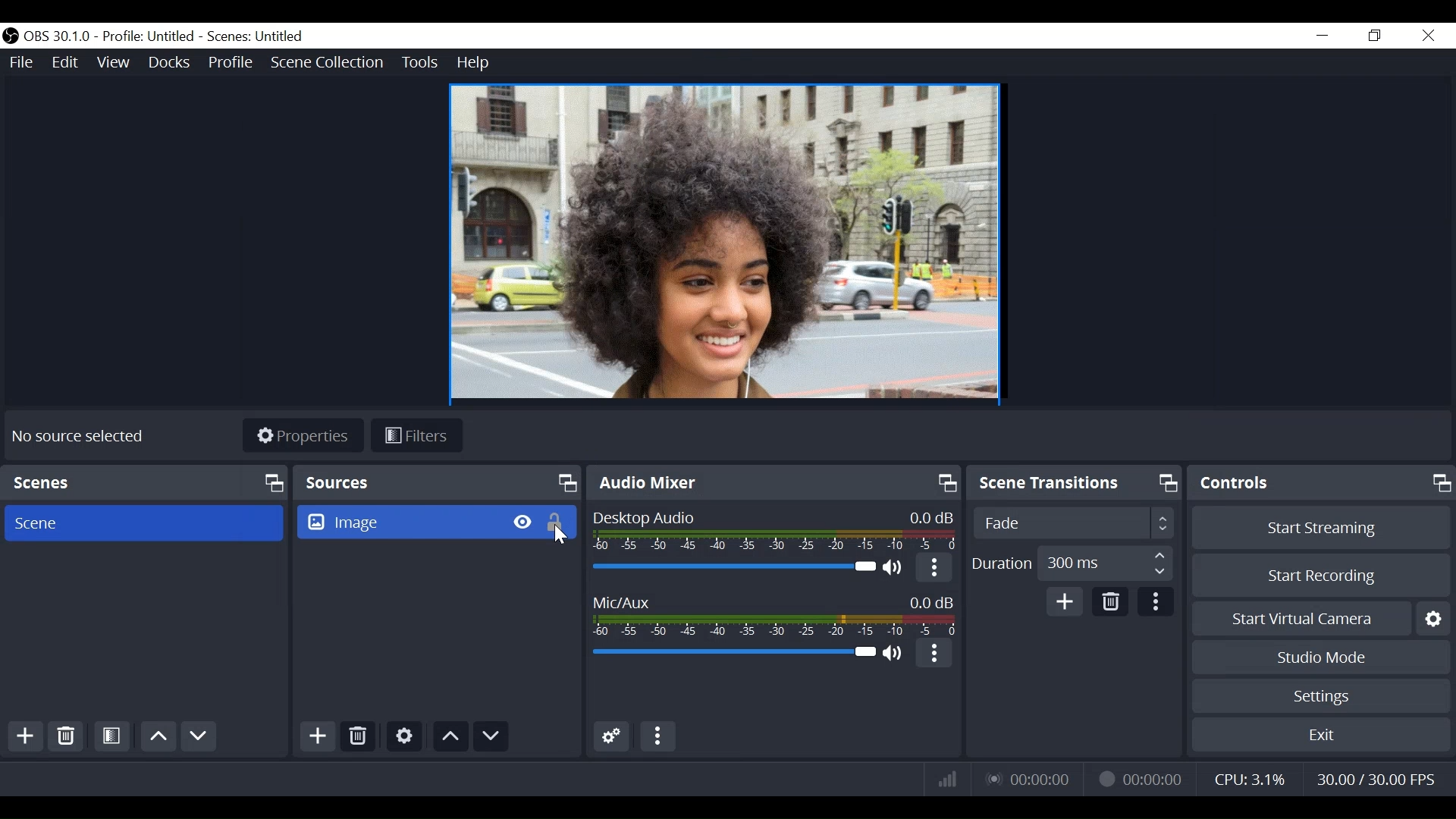 The image size is (1456, 819). Describe the element at coordinates (612, 737) in the screenshot. I see `Advanced Audio Settings` at that location.